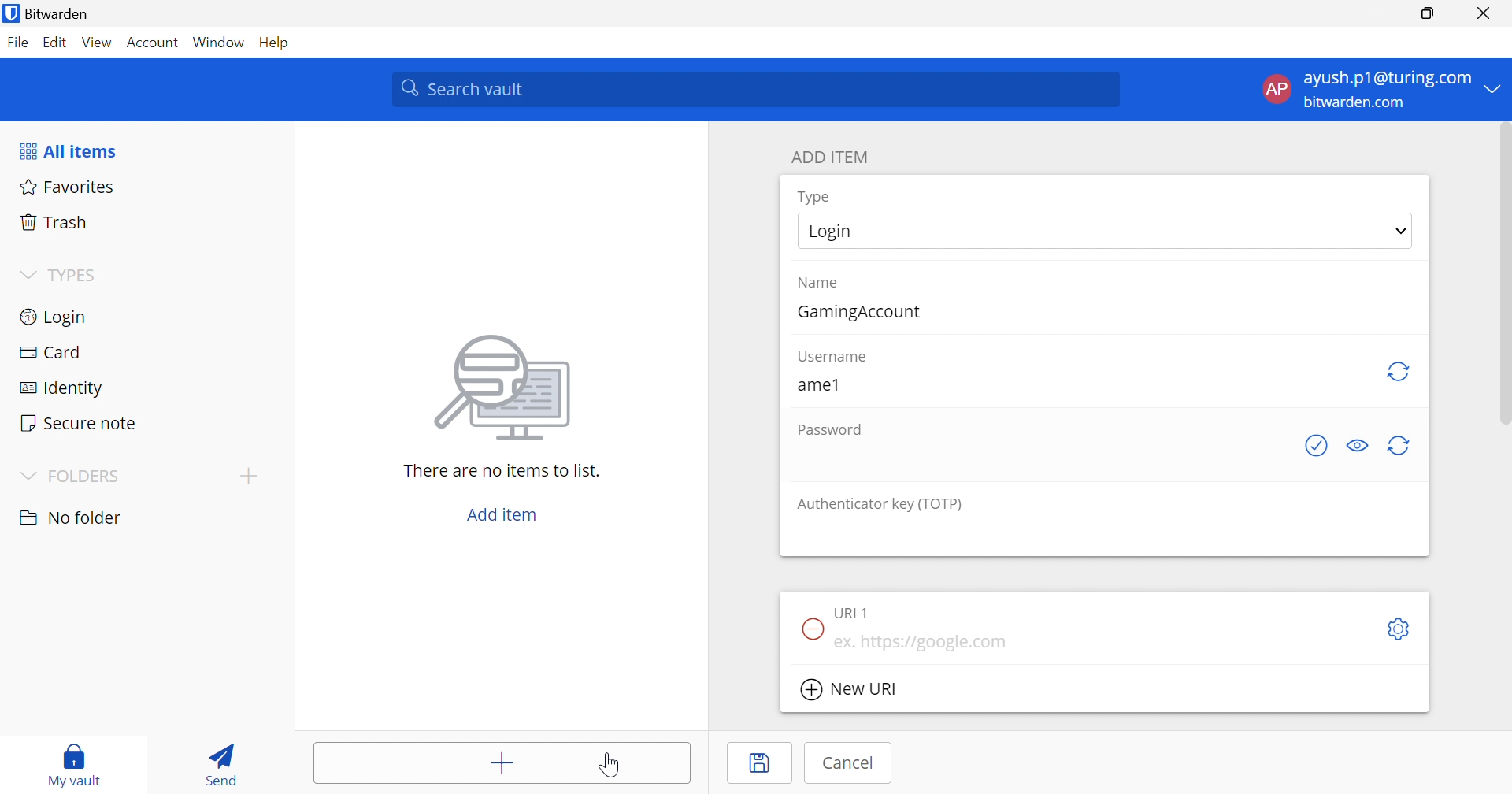 The image size is (1512, 794). I want to click on scrollbar, so click(1501, 281).